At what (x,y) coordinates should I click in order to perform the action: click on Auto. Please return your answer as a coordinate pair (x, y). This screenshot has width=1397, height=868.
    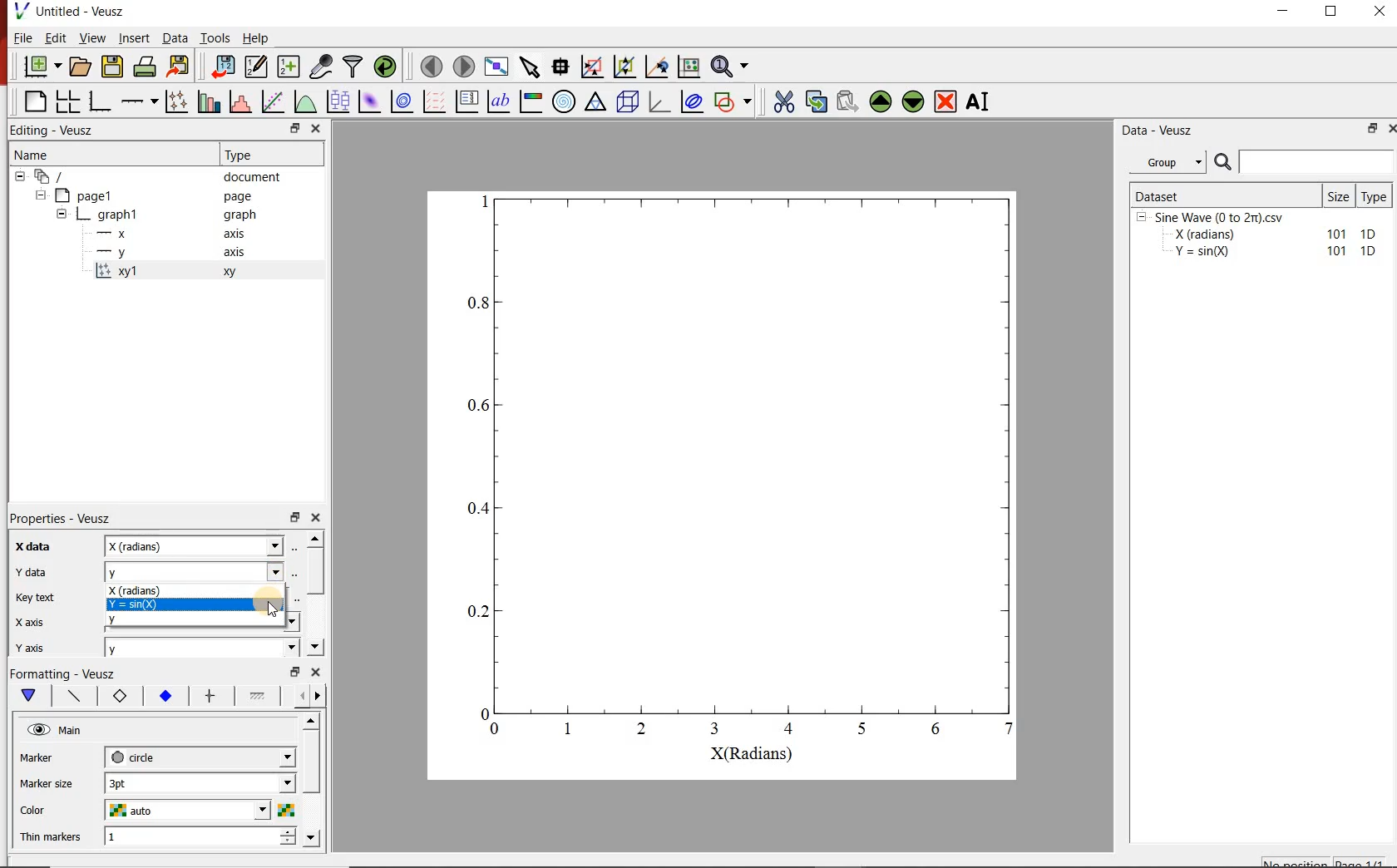
    Looking at the image, I should click on (200, 571).